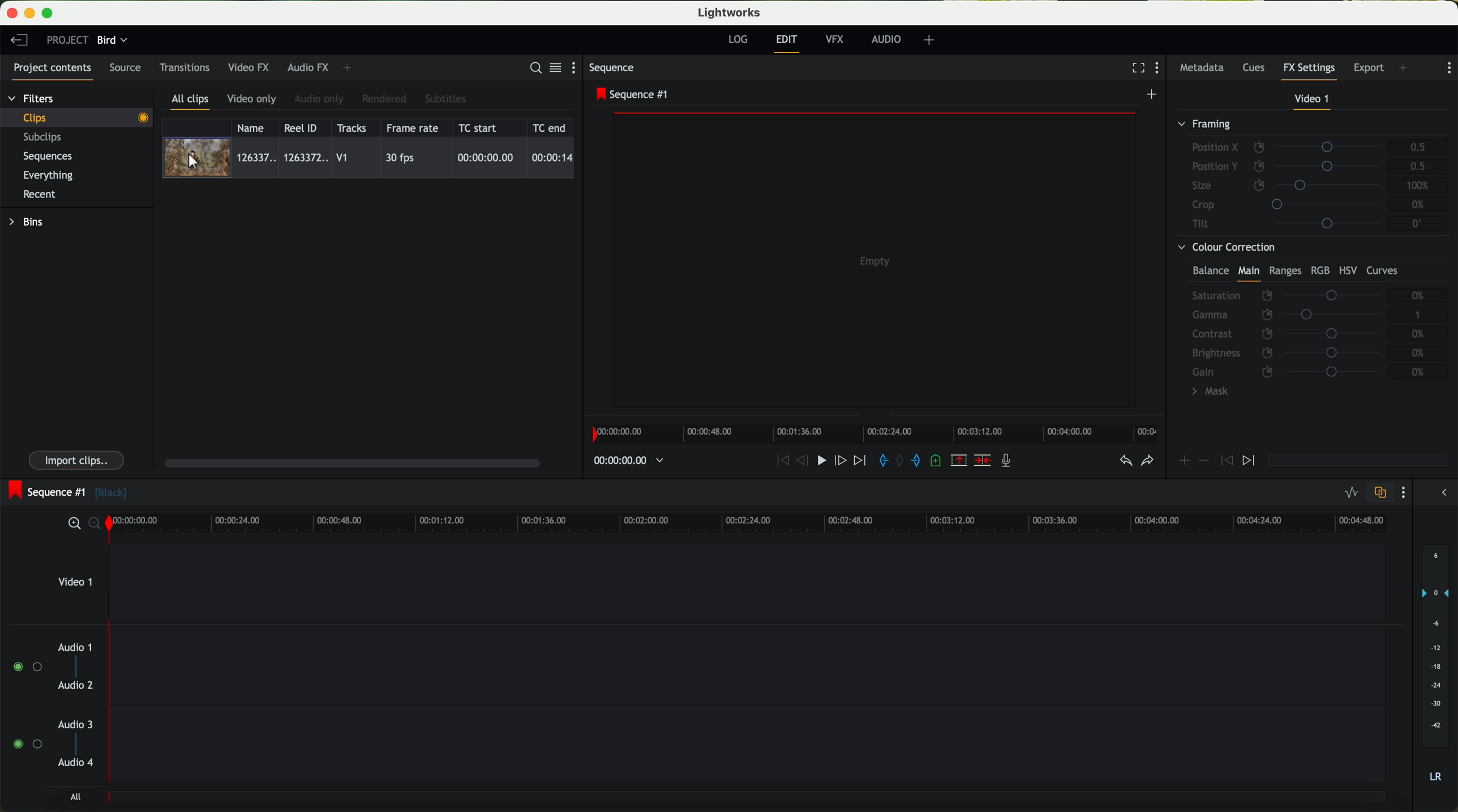 Image resolution: width=1458 pixels, height=812 pixels. What do you see at coordinates (578, 67) in the screenshot?
I see `show settings menu` at bounding box center [578, 67].